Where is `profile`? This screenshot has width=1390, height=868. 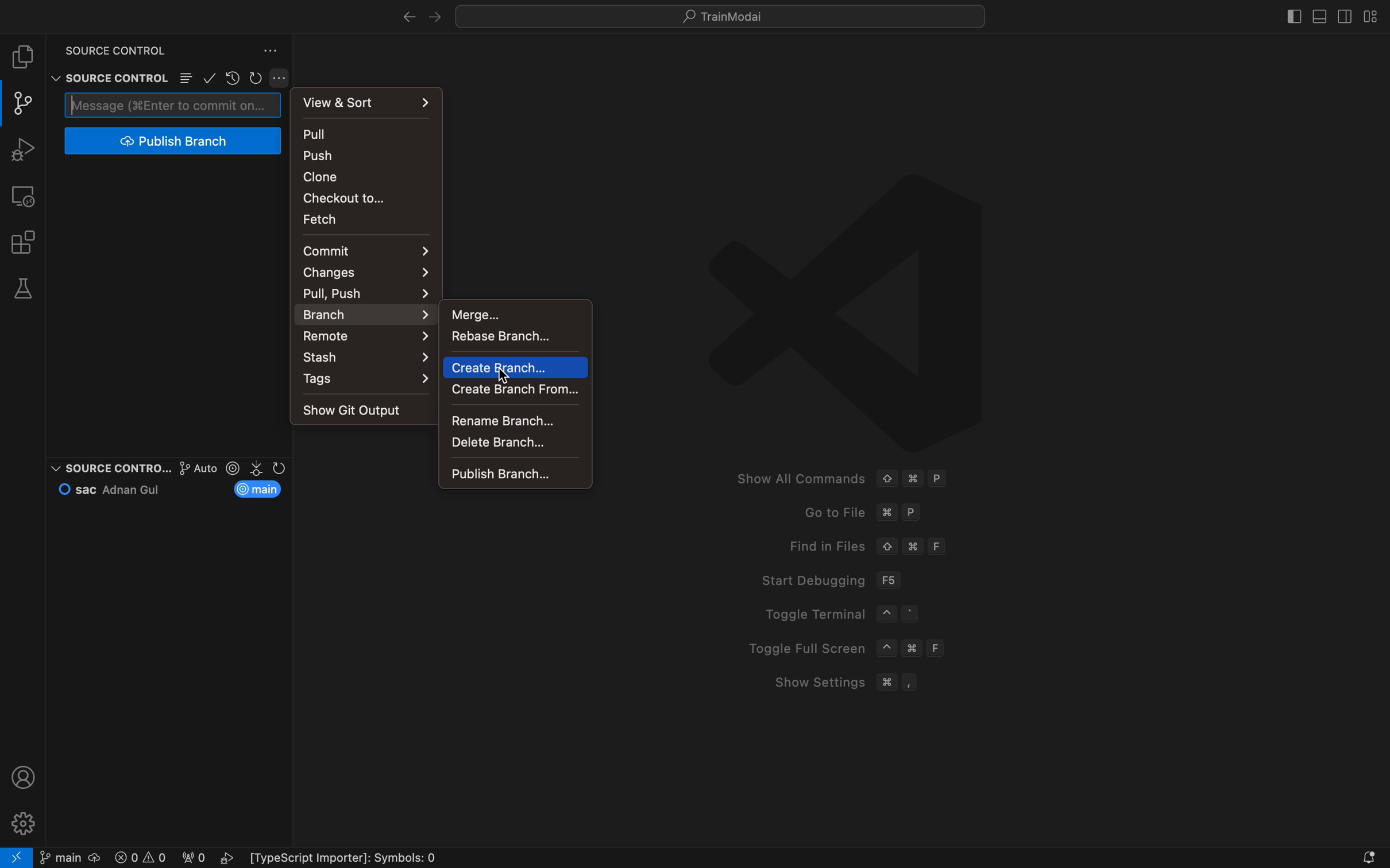 profile is located at coordinates (25, 777).